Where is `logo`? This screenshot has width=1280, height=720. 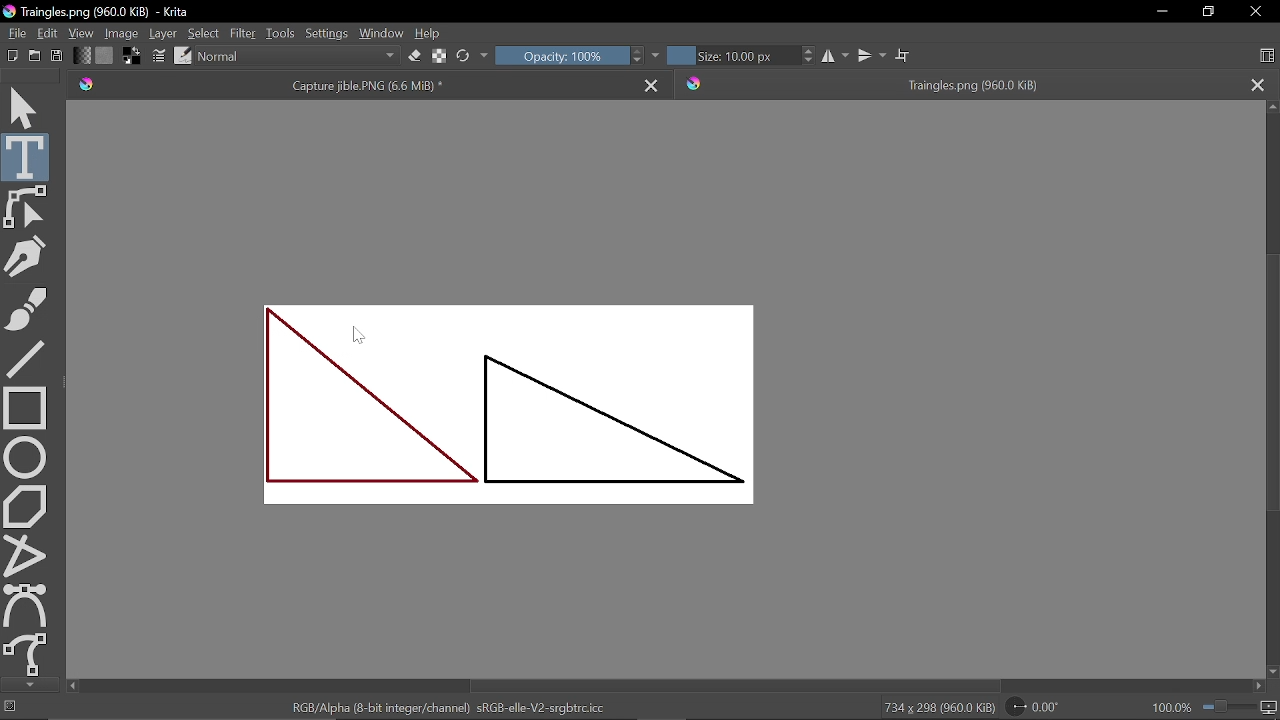 logo is located at coordinates (8, 12).